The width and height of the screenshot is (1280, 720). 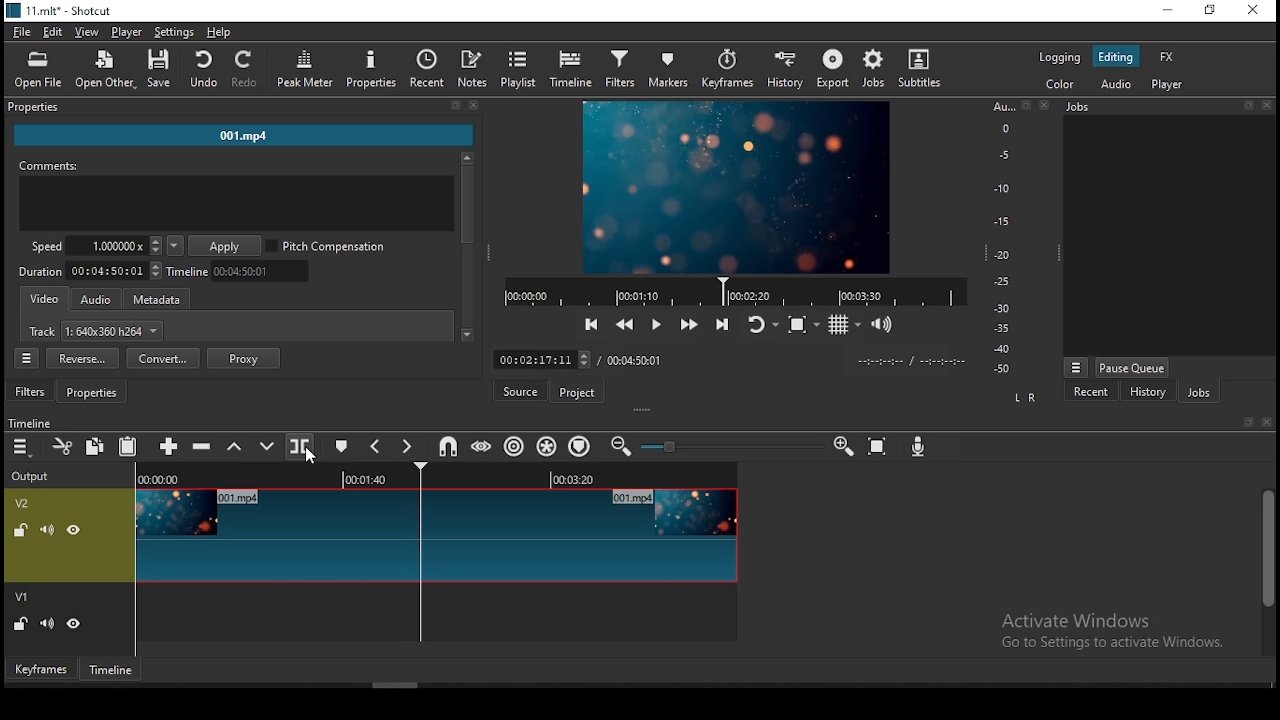 What do you see at coordinates (163, 358) in the screenshot?
I see `convert` at bounding box center [163, 358].